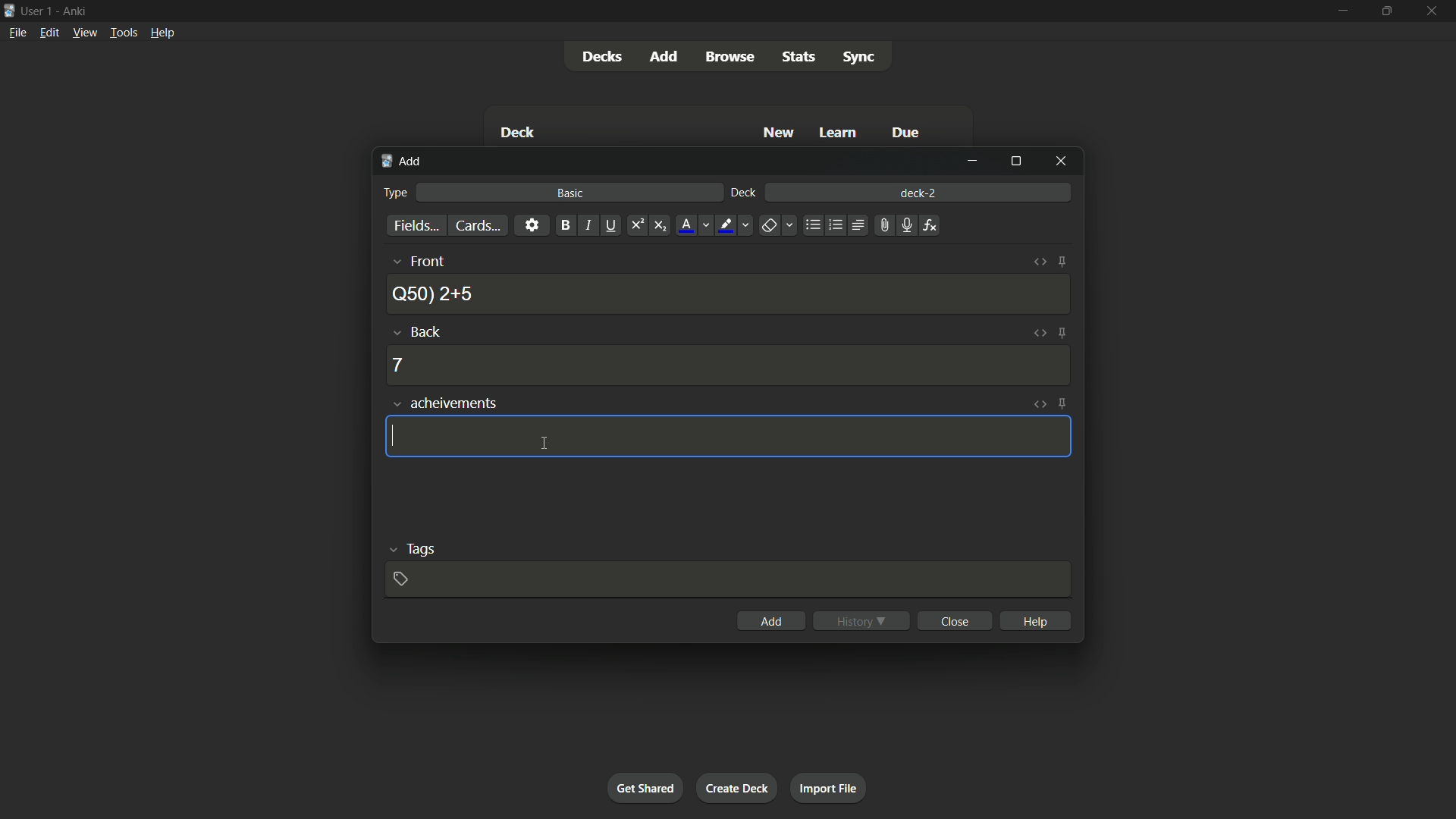 The height and width of the screenshot is (819, 1456). What do you see at coordinates (38, 11) in the screenshot?
I see `user 1` at bounding box center [38, 11].